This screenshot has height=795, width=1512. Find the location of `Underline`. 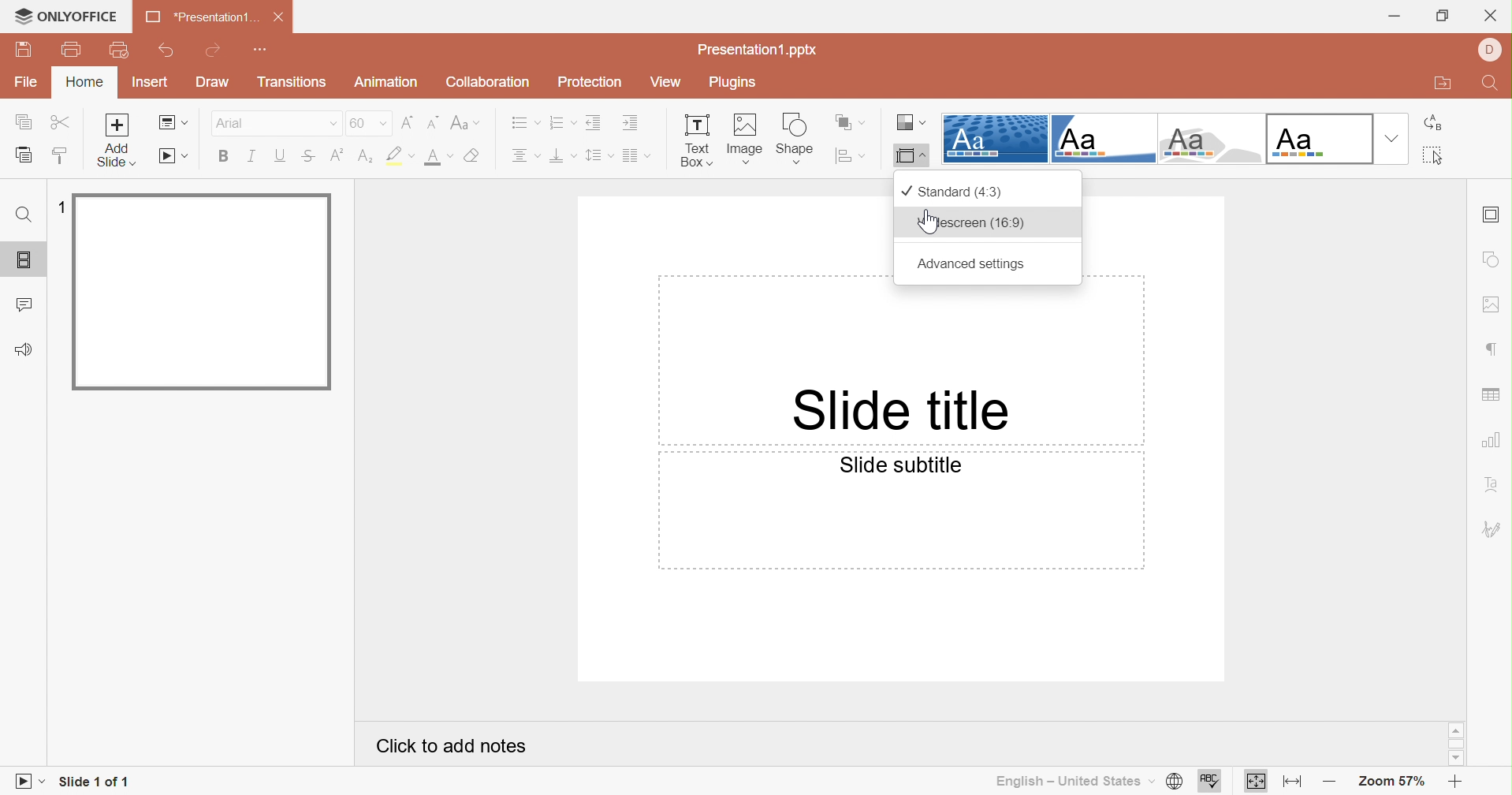

Underline is located at coordinates (278, 155).